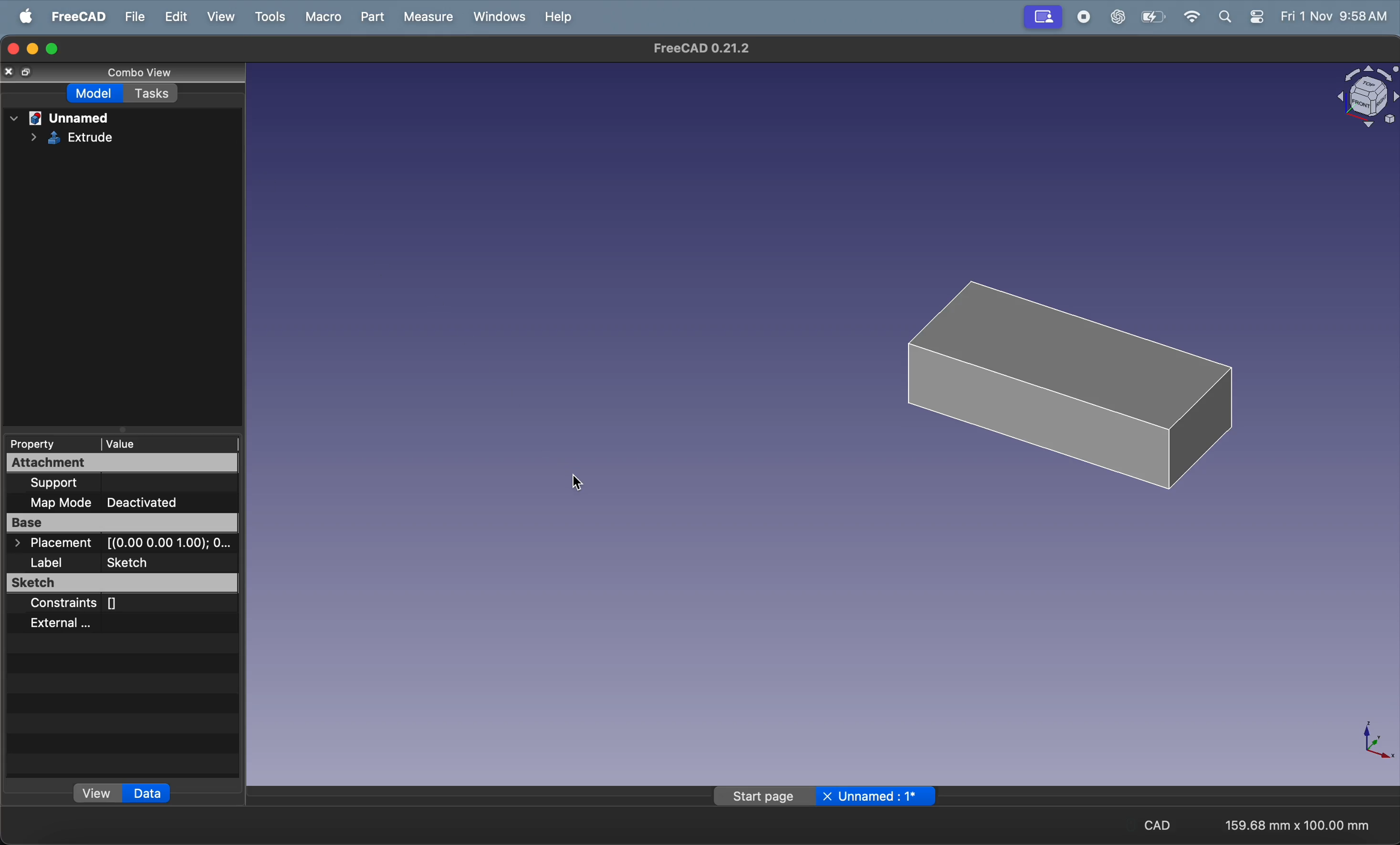 This screenshot has height=845, width=1400. What do you see at coordinates (65, 141) in the screenshot?
I see `extrude` at bounding box center [65, 141].